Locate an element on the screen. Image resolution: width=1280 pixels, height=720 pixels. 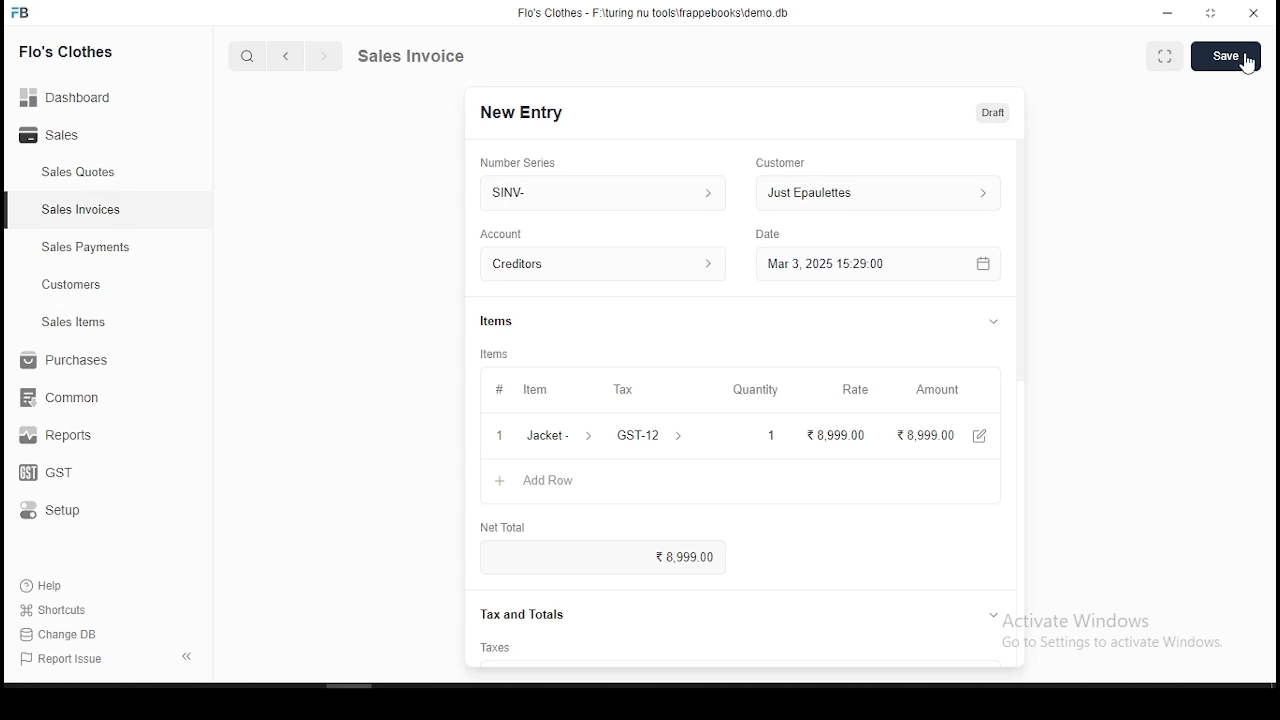
minimize is located at coordinates (1163, 13).